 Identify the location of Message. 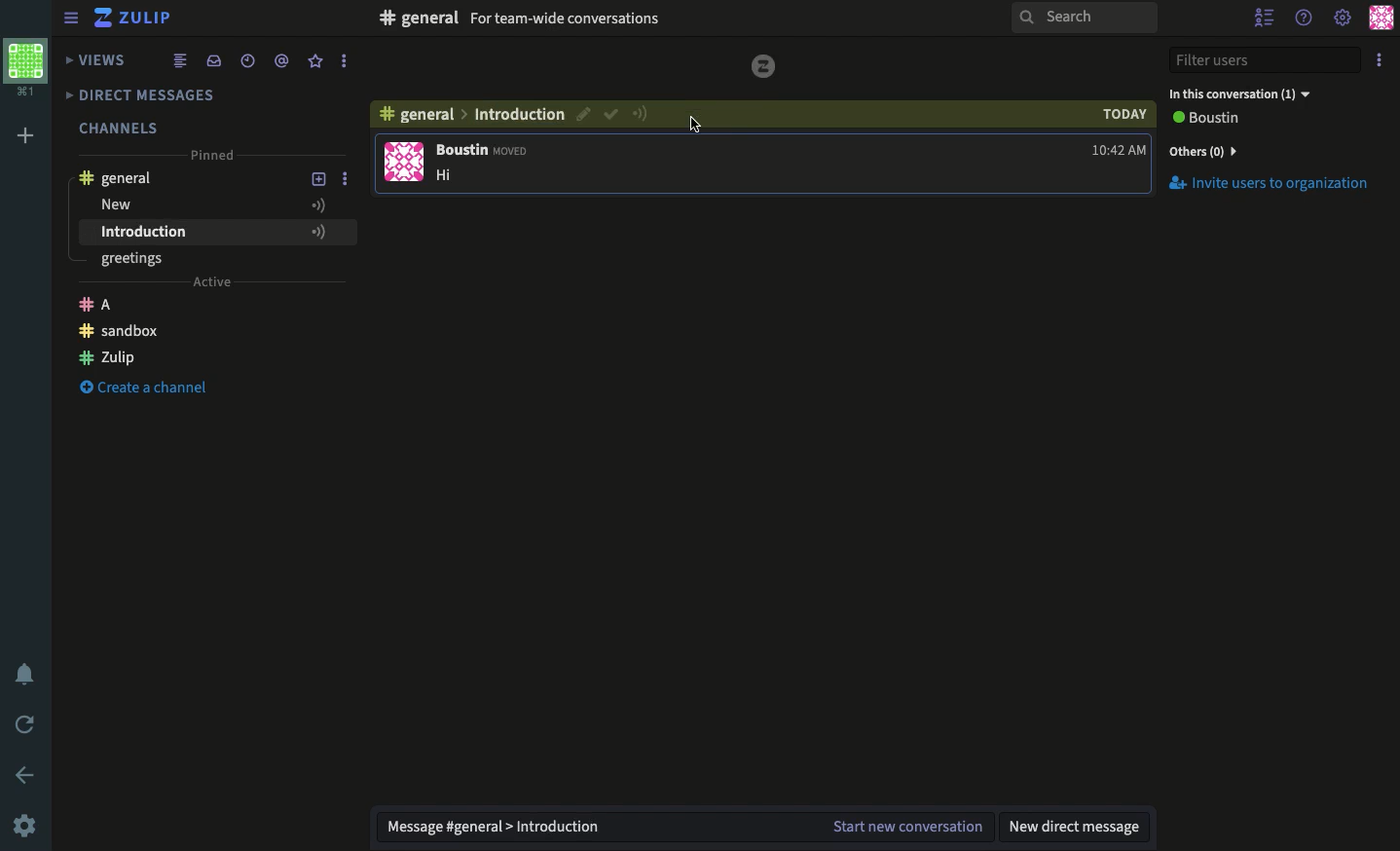
(686, 825).